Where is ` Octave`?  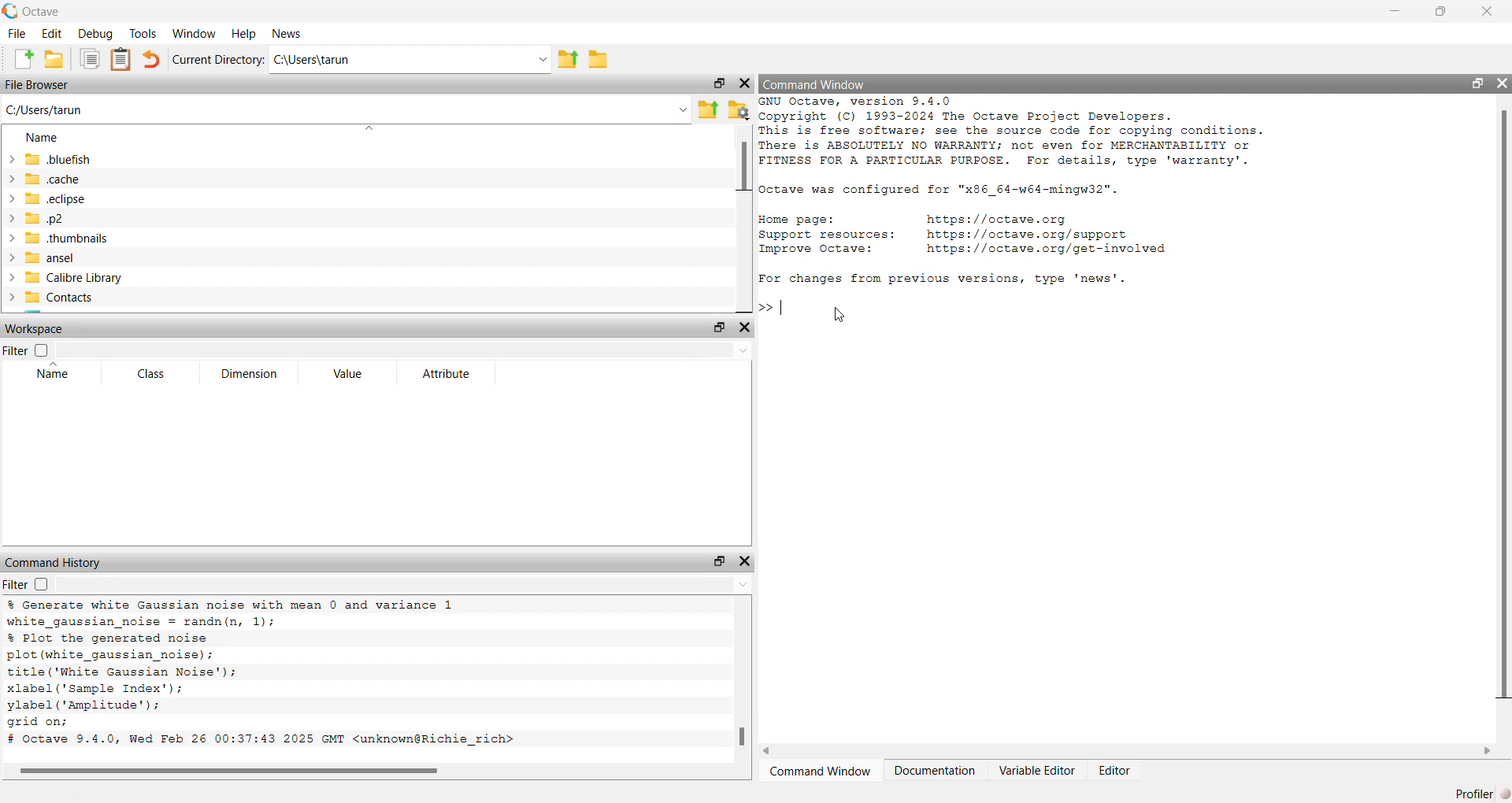
 Octave is located at coordinates (50, 12).